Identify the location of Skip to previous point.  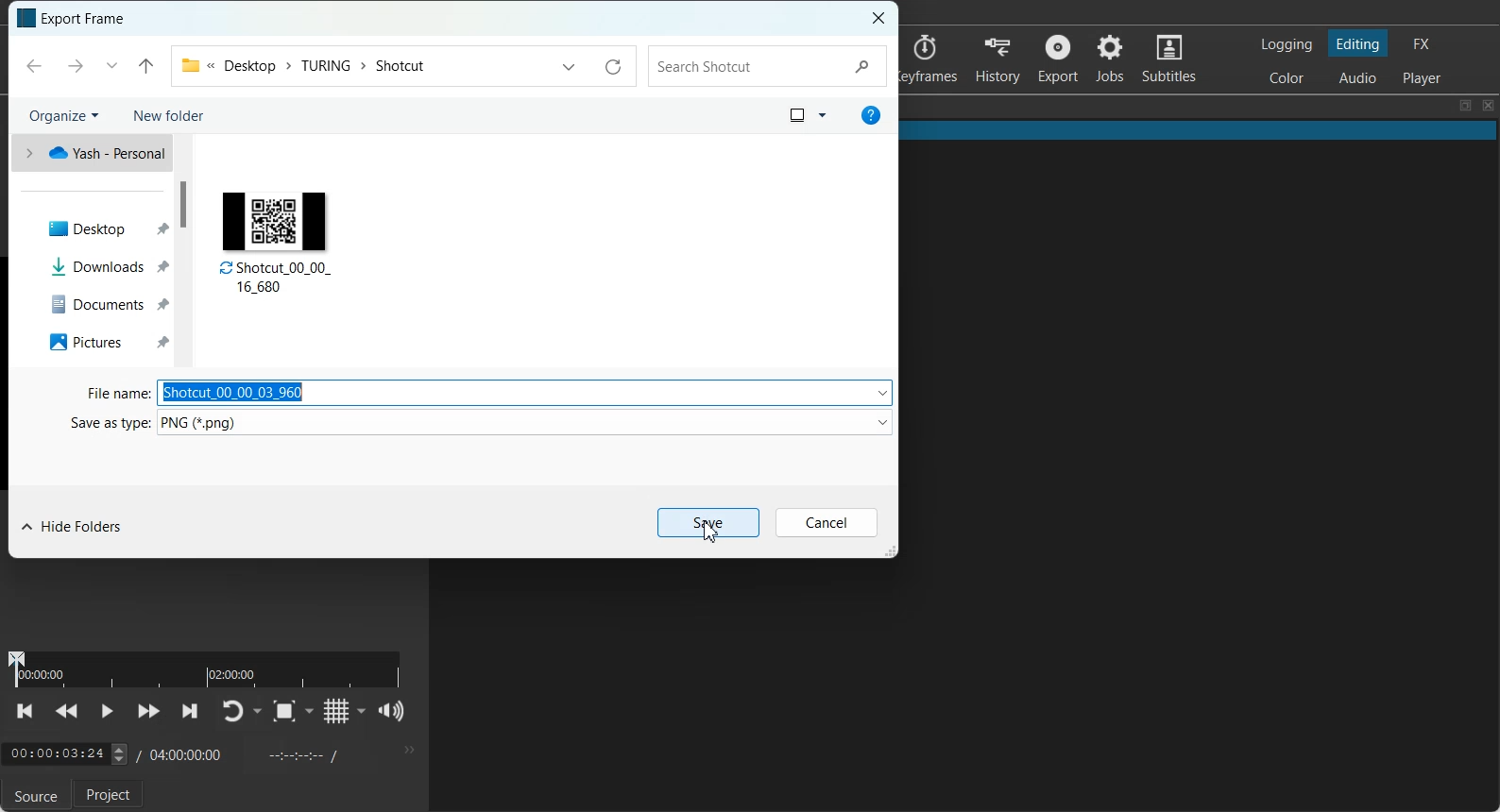
(26, 711).